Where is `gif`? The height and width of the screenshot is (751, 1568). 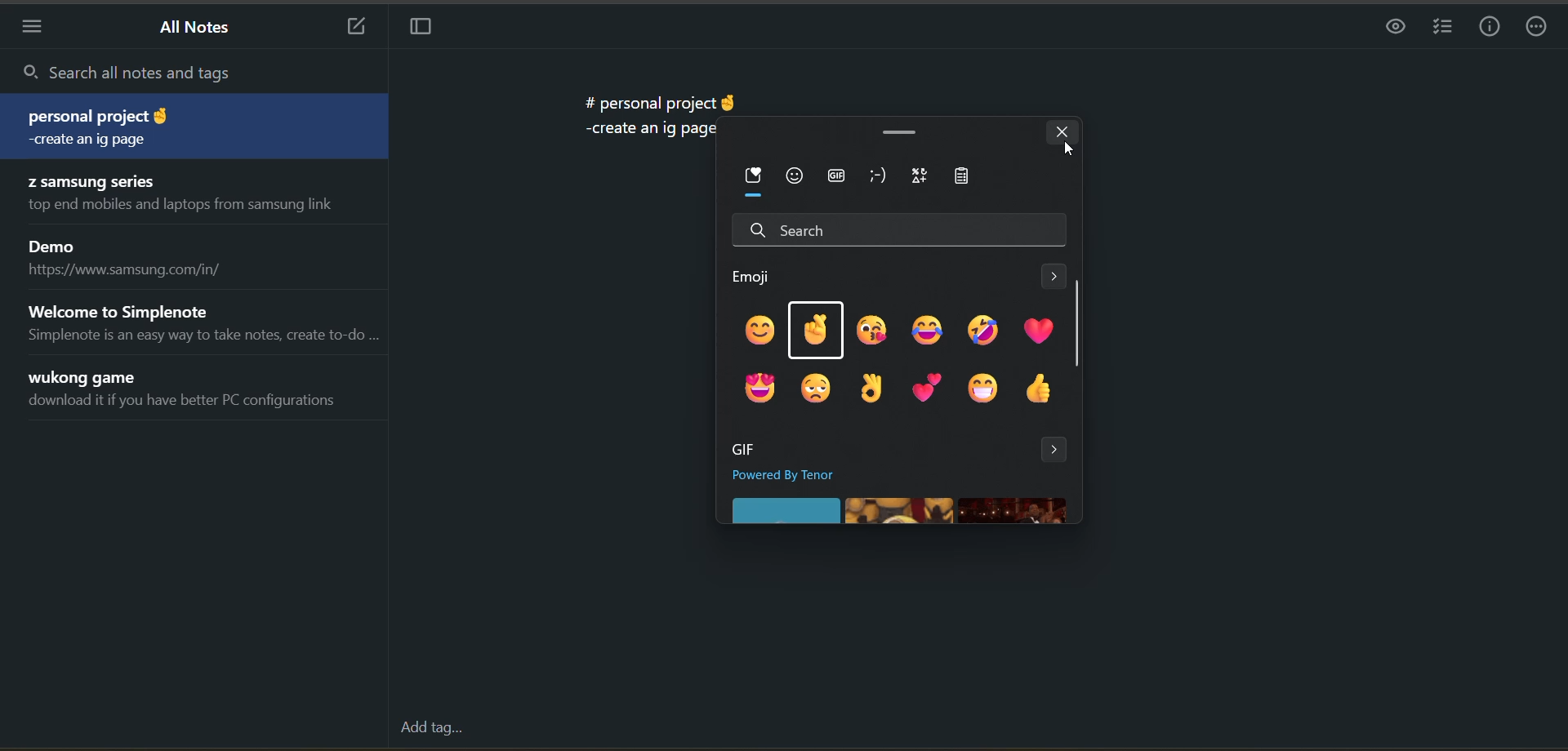
gif is located at coordinates (835, 177).